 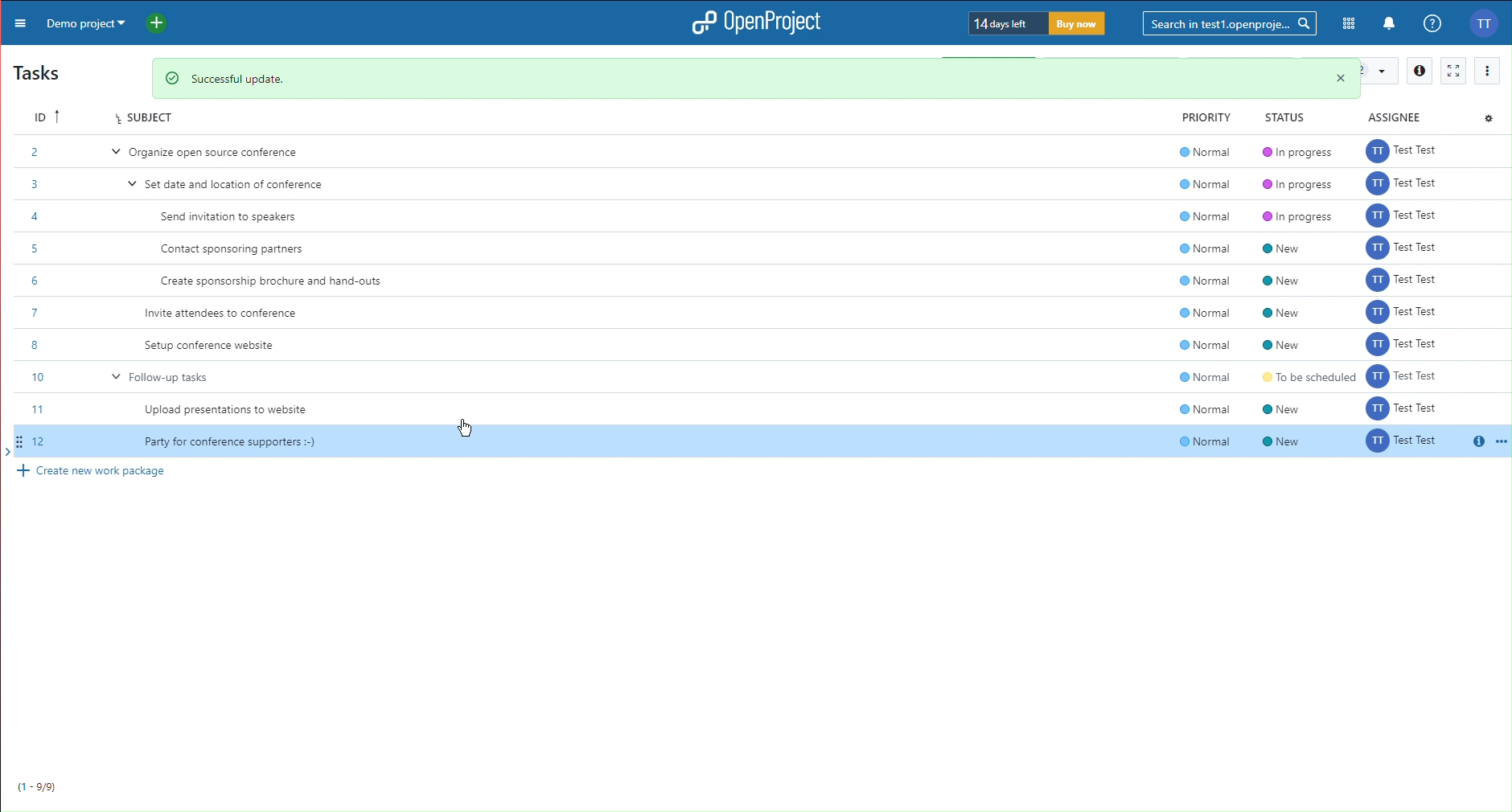 What do you see at coordinates (36, 787) in the screenshot?
I see `(1-9/9)` at bounding box center [36, 787].